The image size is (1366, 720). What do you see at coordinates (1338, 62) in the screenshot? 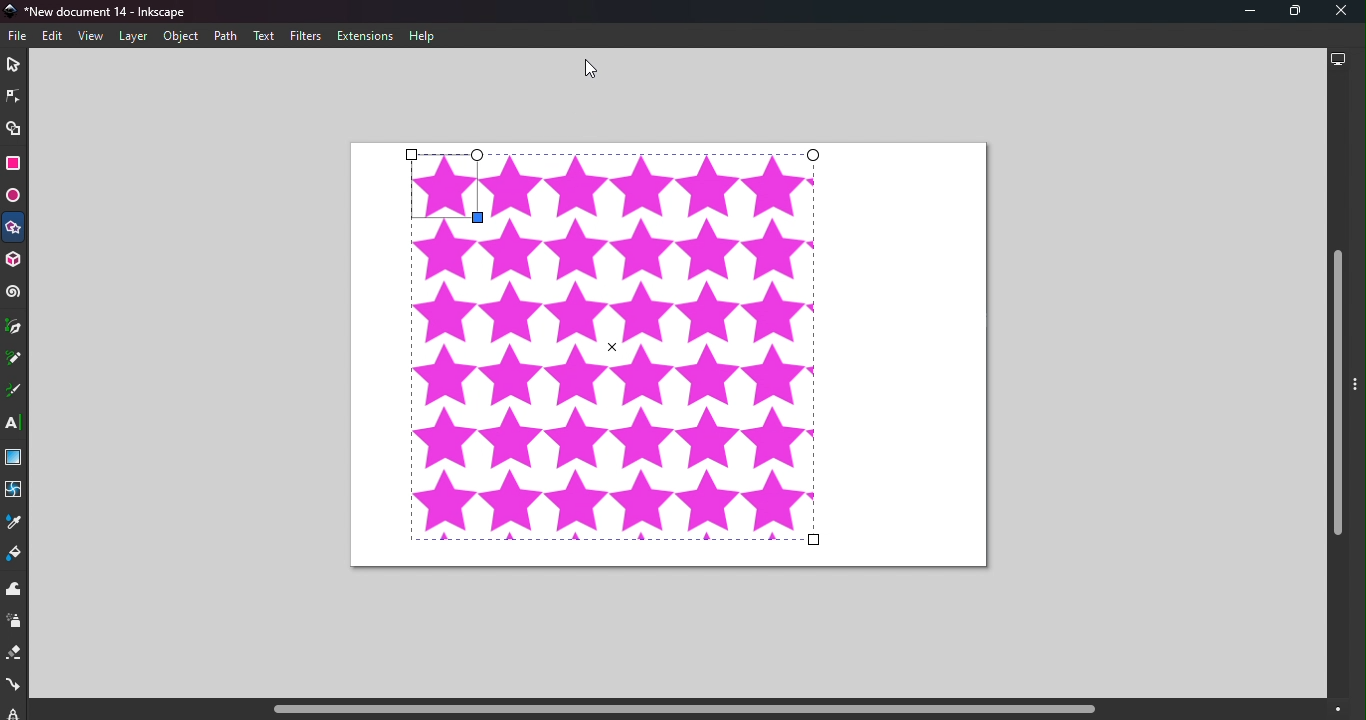
I see `Display options` at bounding box center [1338, 62].